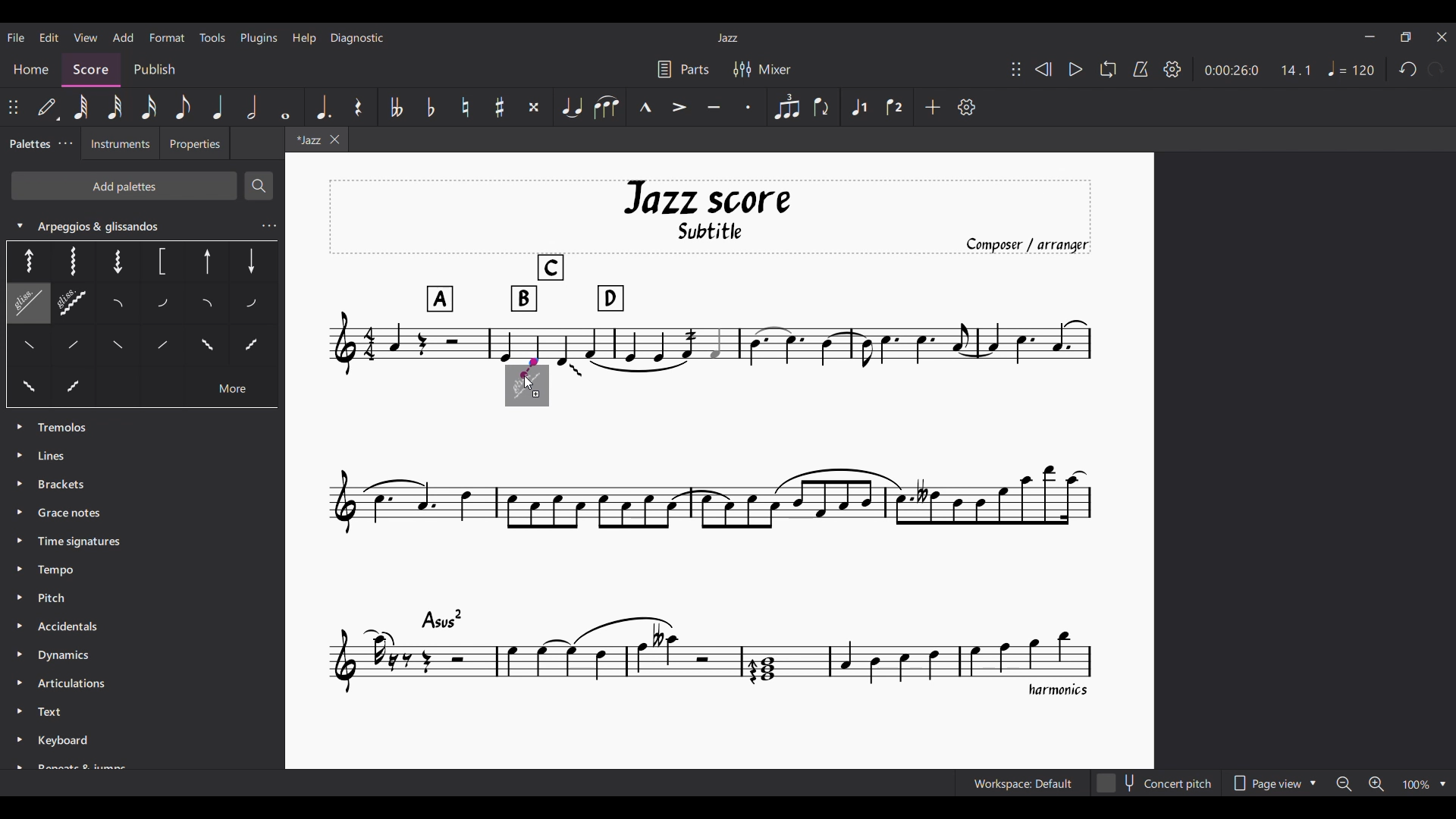 Image resolution: width=1456 pixels, height=819 pixels. Describe the element at coordinates (69, 657) in the screenshot. I see `Dynamics` at that location.